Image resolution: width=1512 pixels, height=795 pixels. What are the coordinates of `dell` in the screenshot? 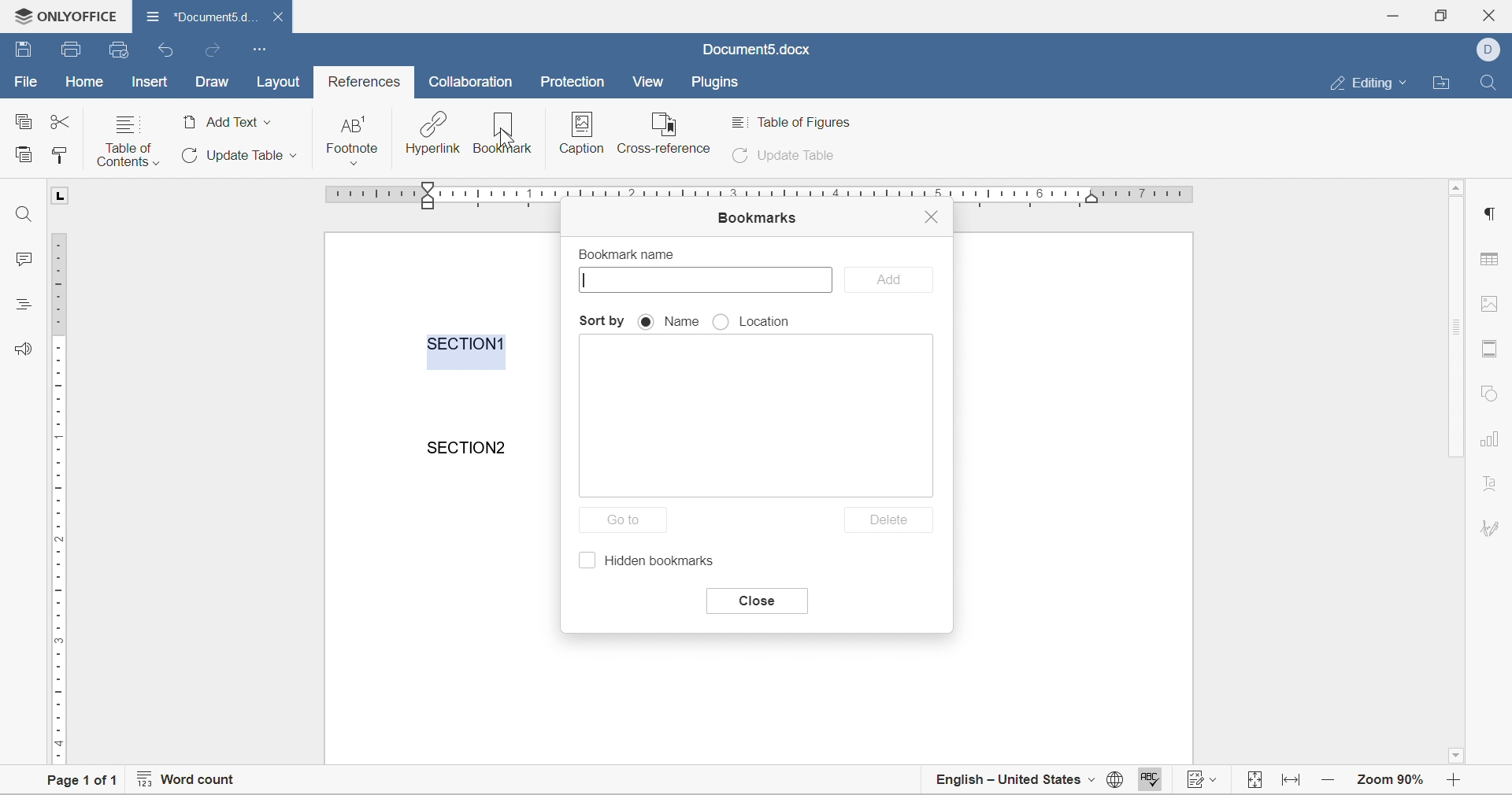 It's located at (1492, 48).